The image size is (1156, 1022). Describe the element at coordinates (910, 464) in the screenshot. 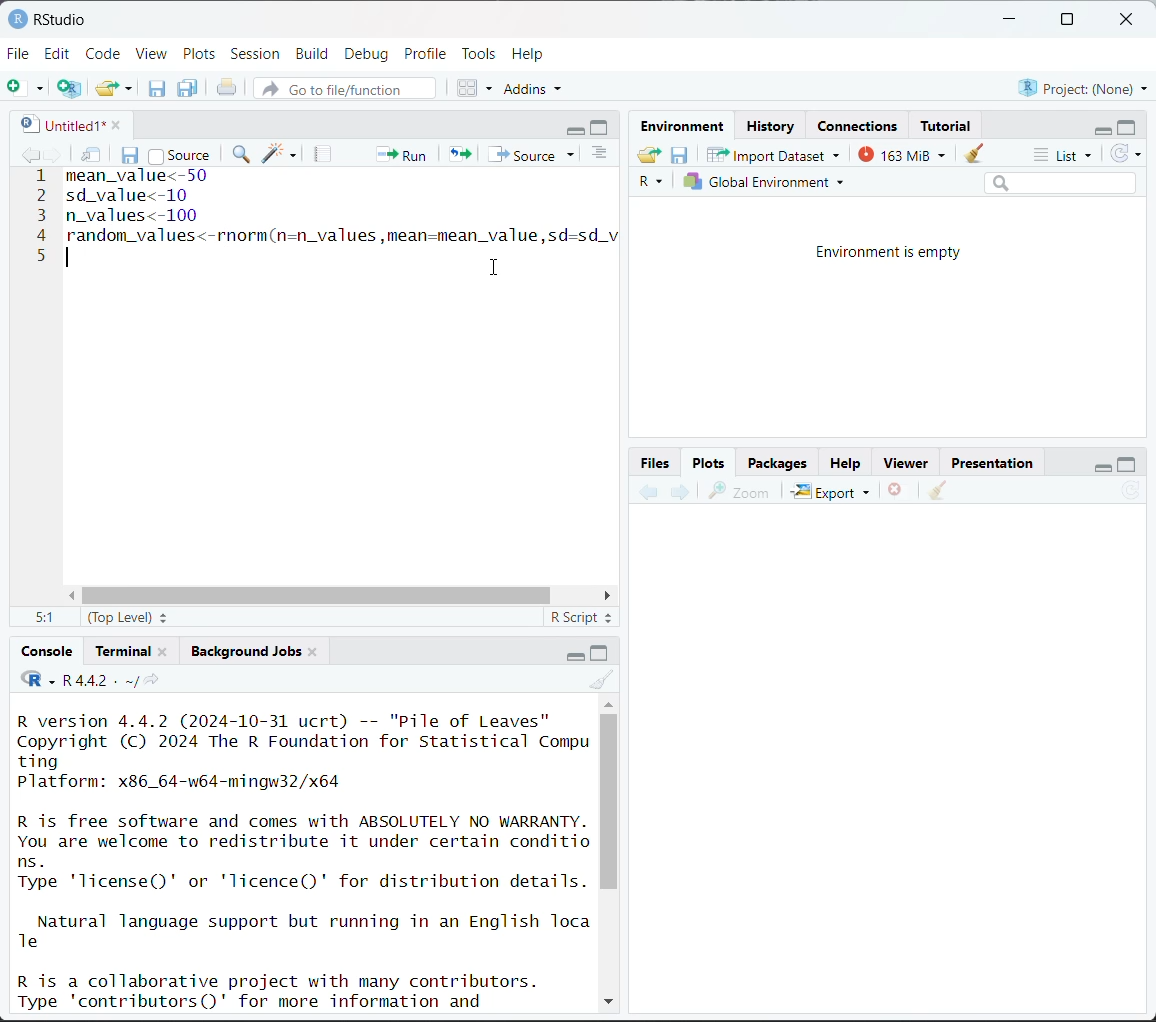

I see `Viewer` at that location.